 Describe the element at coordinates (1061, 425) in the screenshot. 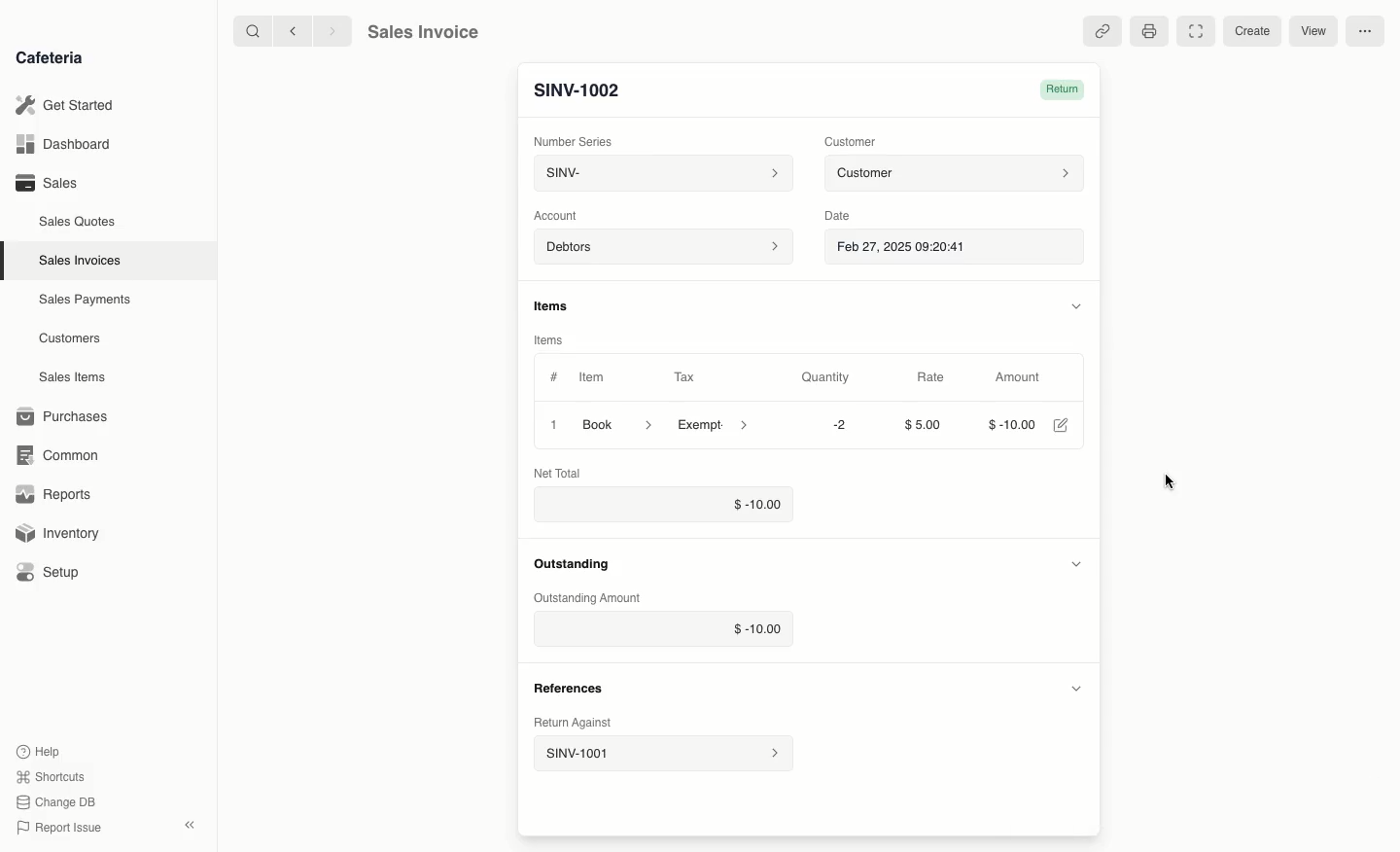

I see `Edit` at that location.